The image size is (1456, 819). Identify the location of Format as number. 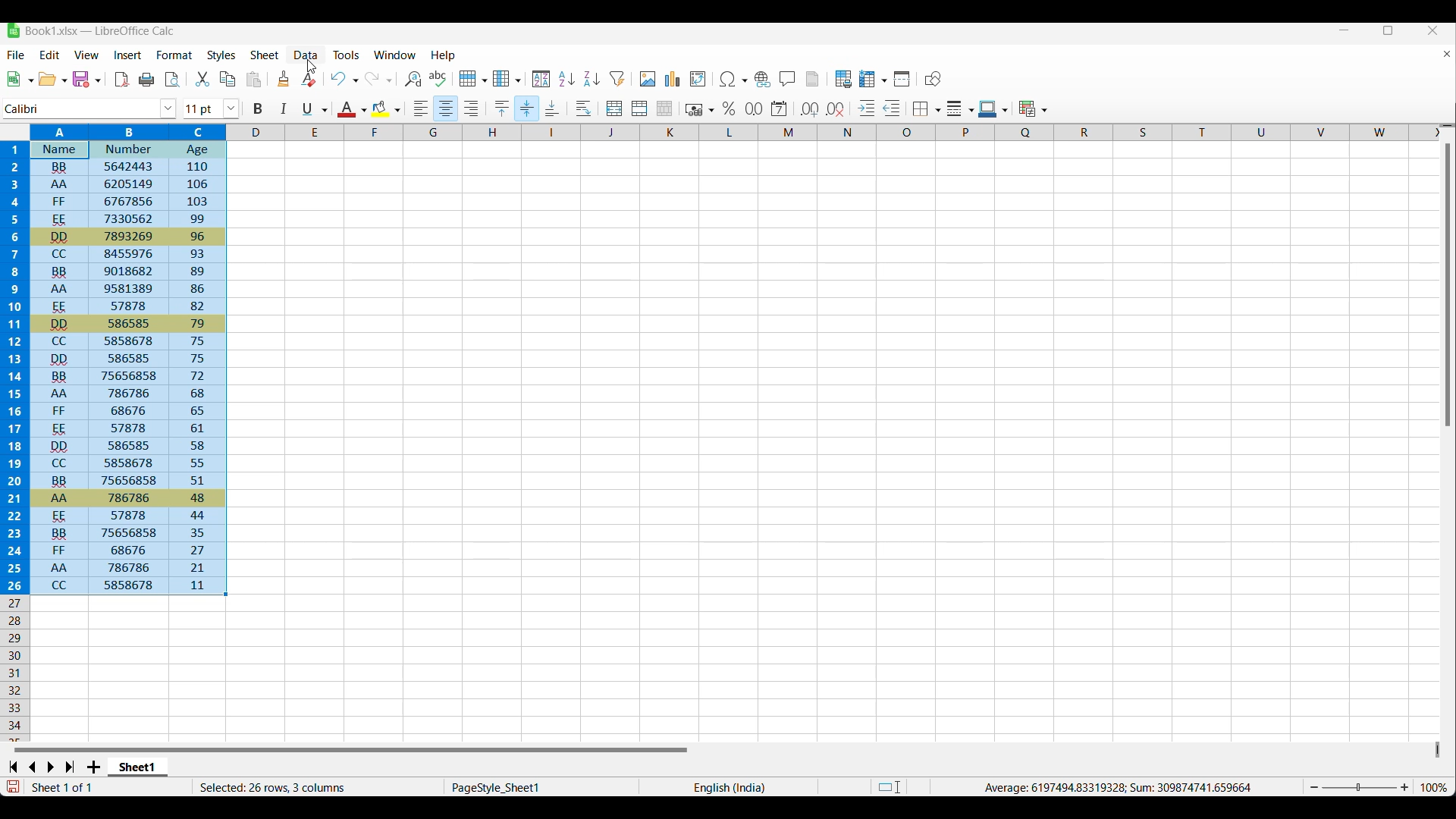
(755, 108).